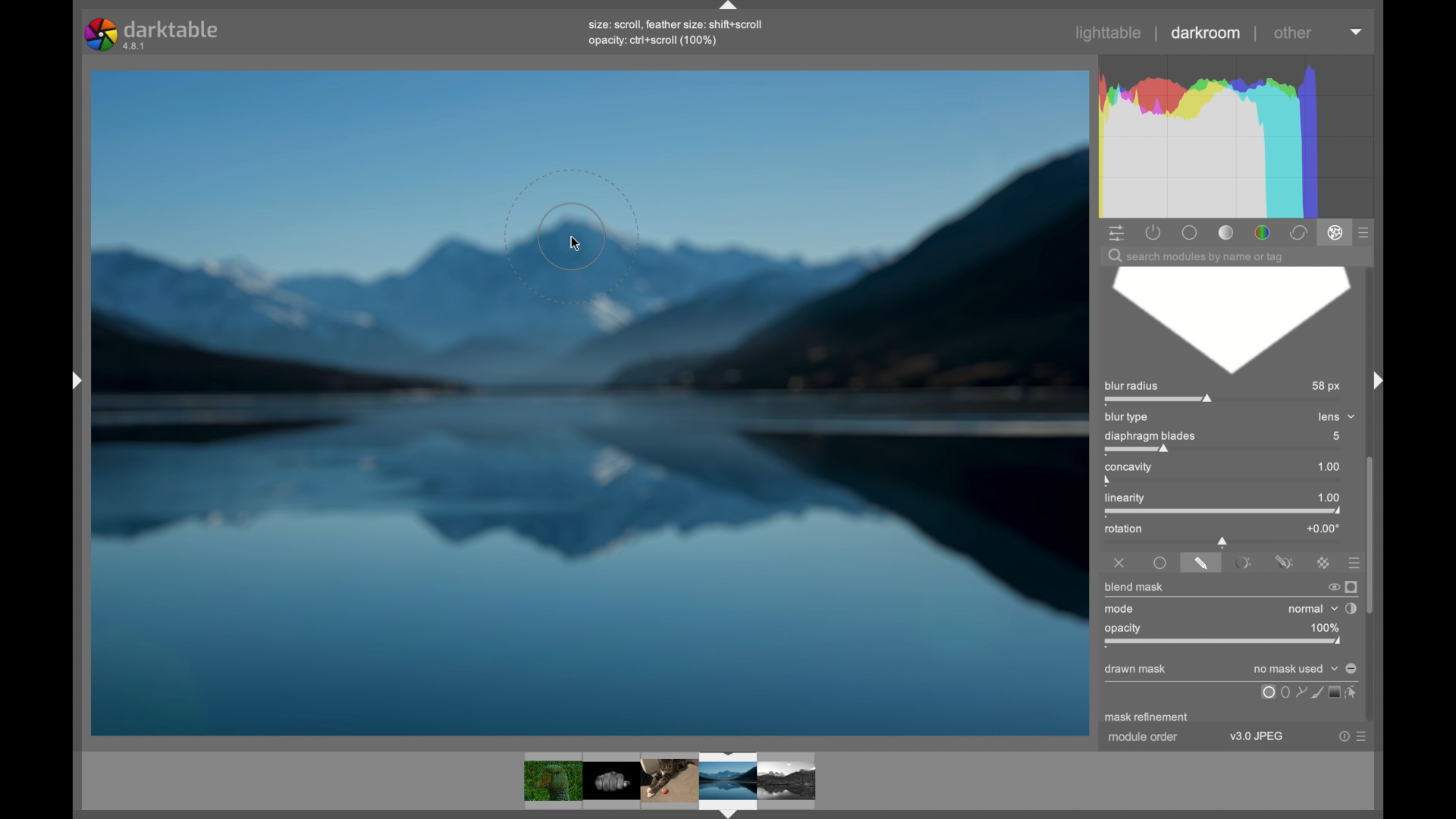  Describe the element at coordinates (1356, 694) in the screenshot. I see `select` at that location.